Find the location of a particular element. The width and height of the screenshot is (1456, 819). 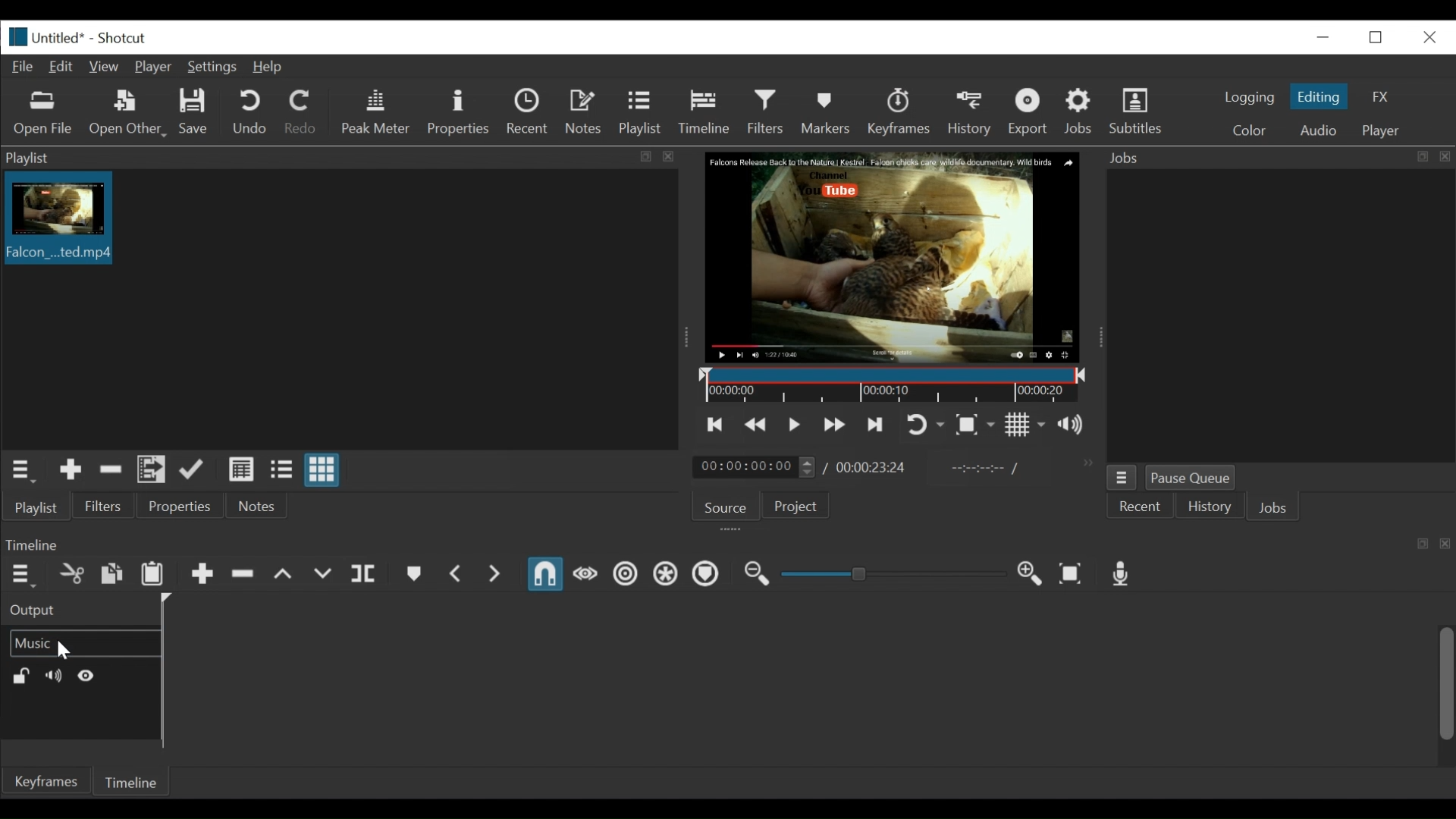

Restore is located at coordinates (1373, 36).